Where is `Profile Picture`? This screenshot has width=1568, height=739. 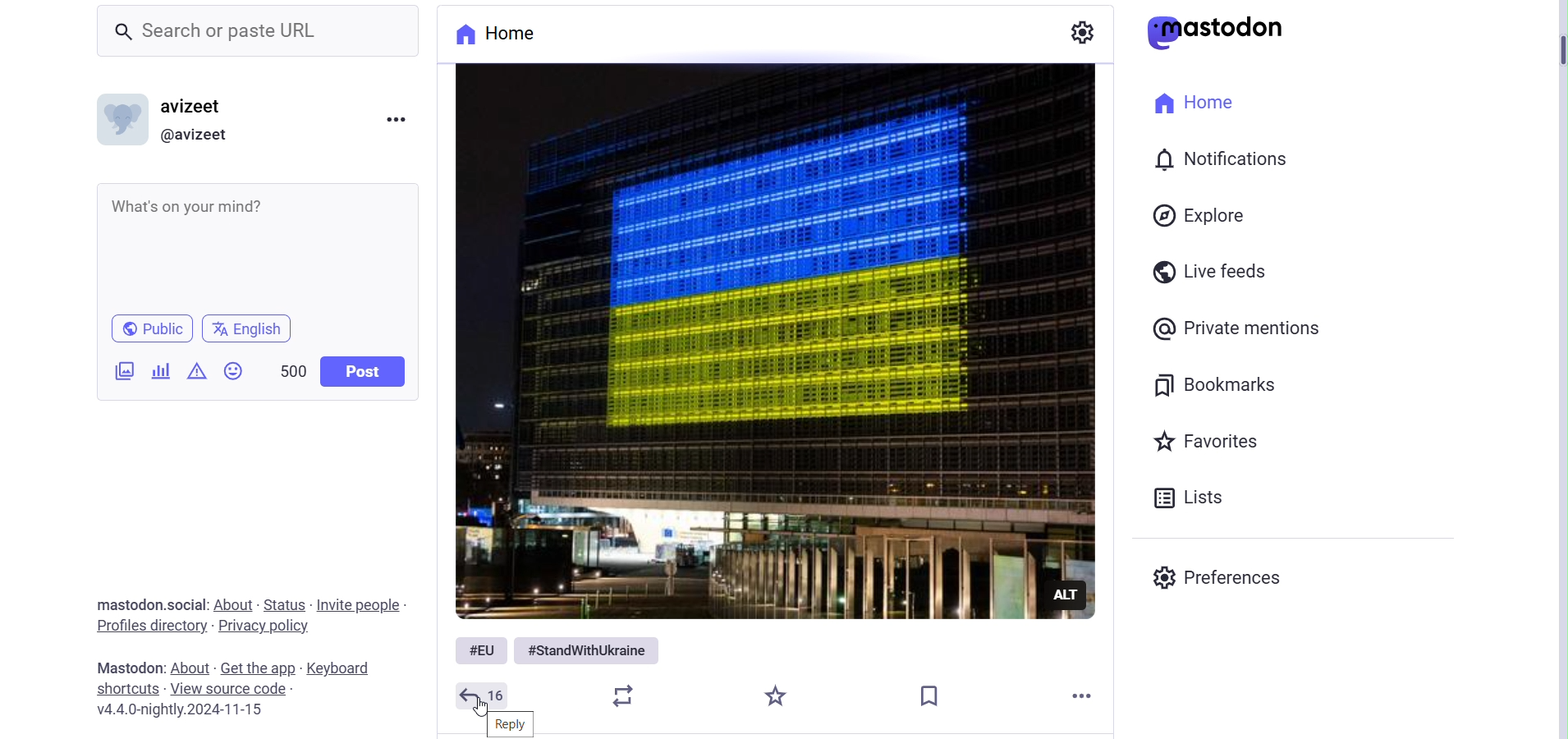
Profile Picture is located at coordinates (122, 119).